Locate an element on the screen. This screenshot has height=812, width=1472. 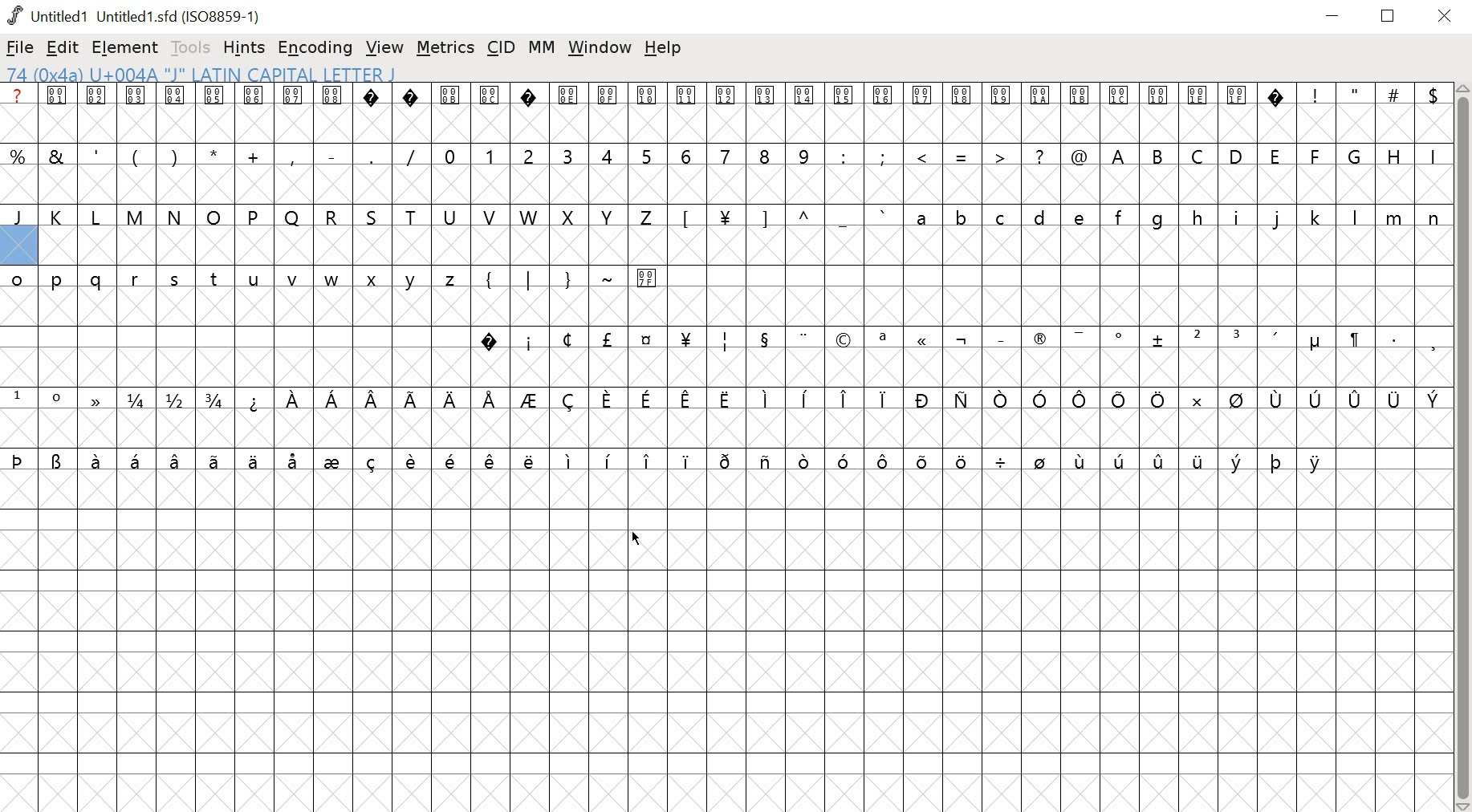
special characters is located at coordinates (958, 158).